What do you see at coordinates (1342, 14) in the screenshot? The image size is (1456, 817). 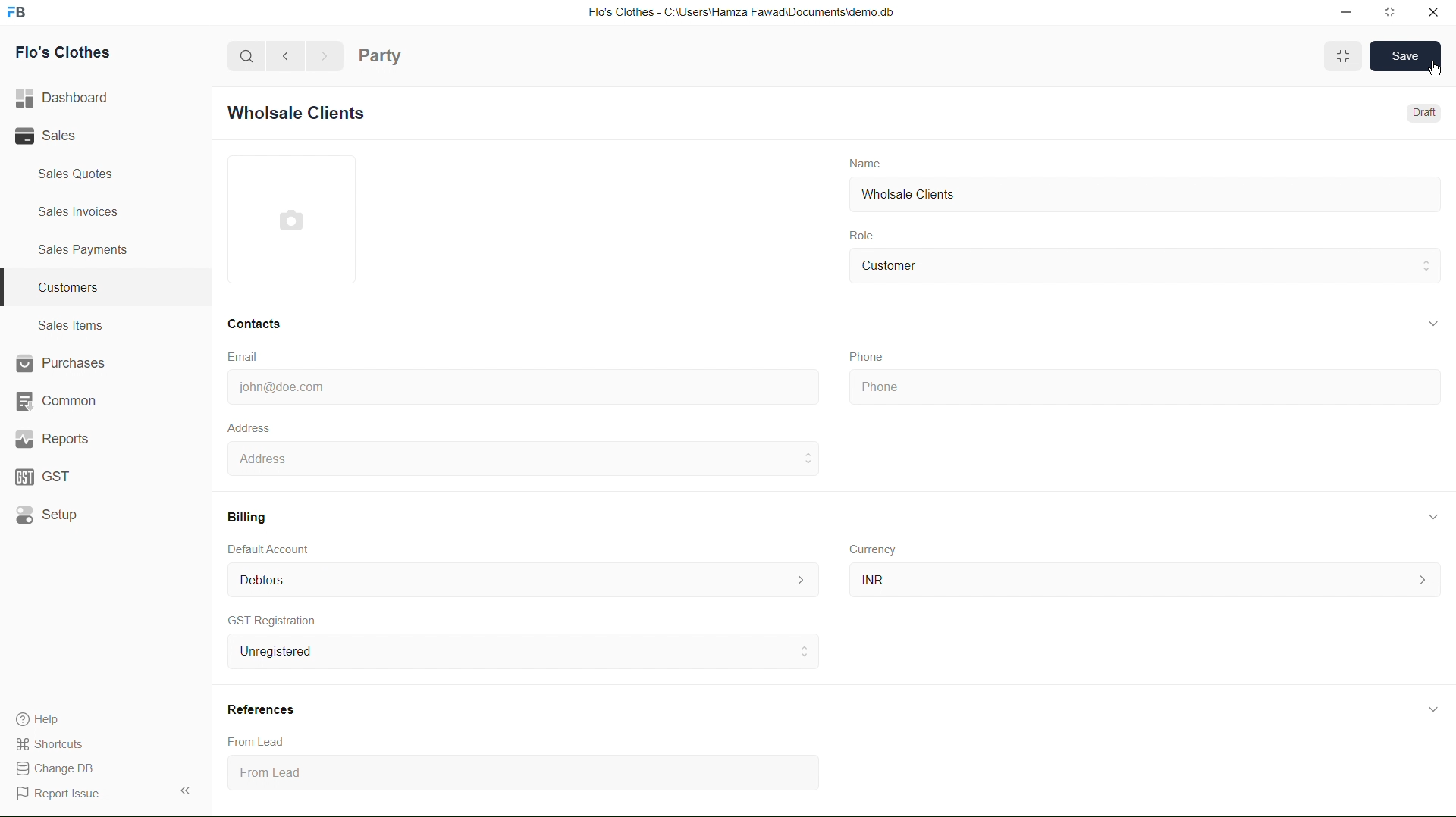 I see `minimize` at bounding box center [1342, 14].